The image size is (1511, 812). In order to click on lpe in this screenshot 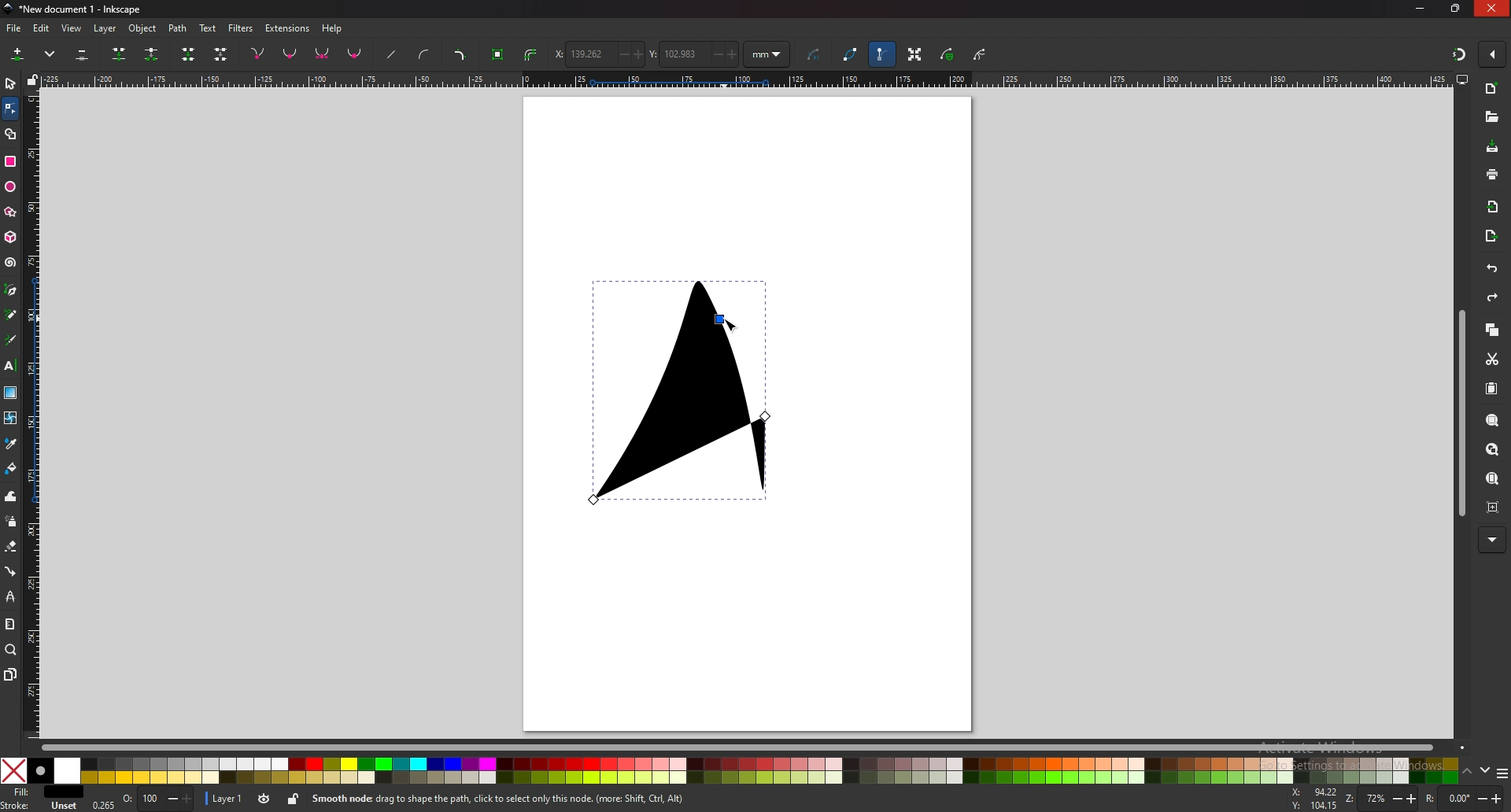, I will do `click(10, 596)`.